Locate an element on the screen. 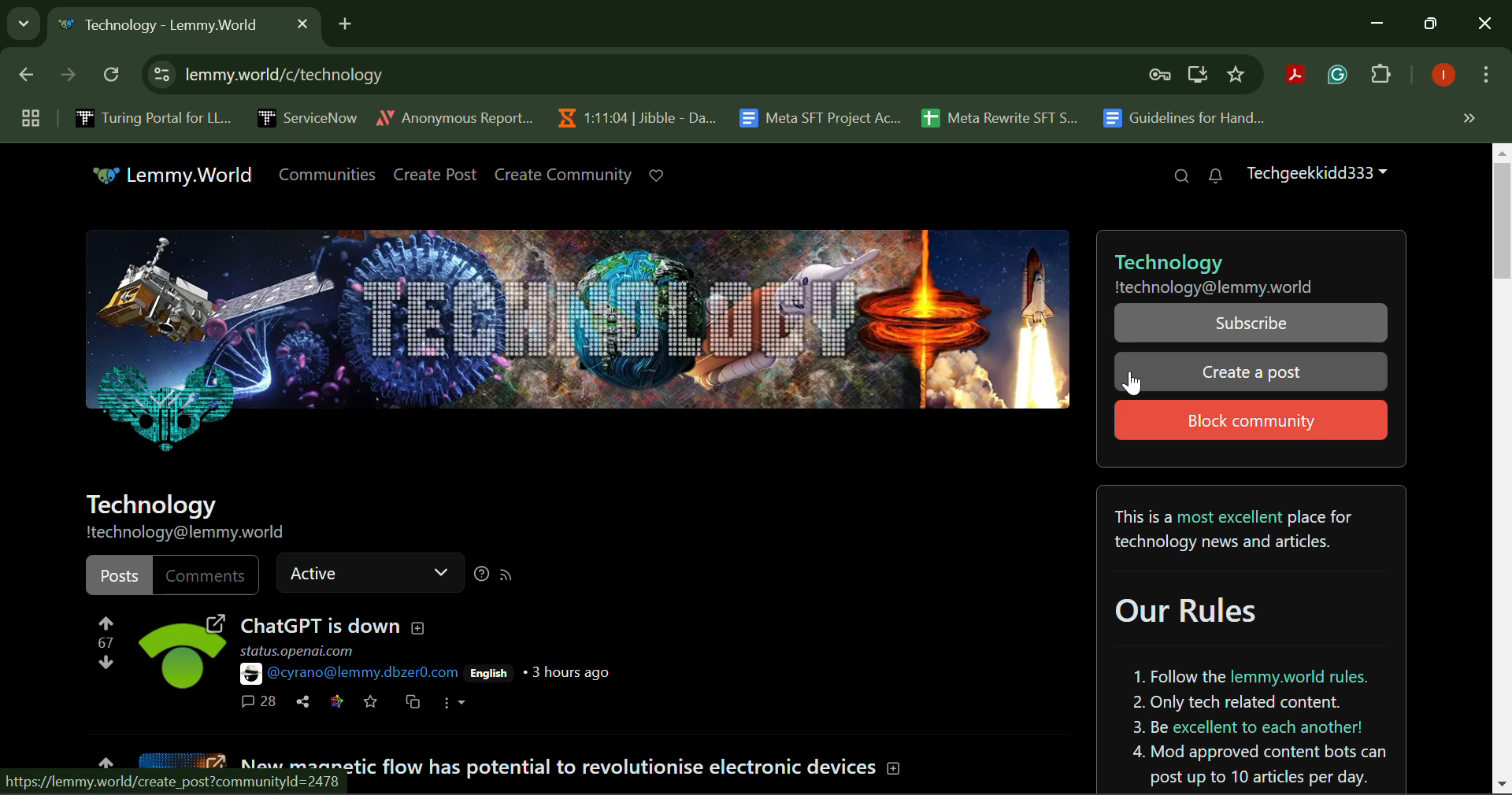 This screenshot has width=1512, height=795. Bookmark is located at coordinates (1237, 75).